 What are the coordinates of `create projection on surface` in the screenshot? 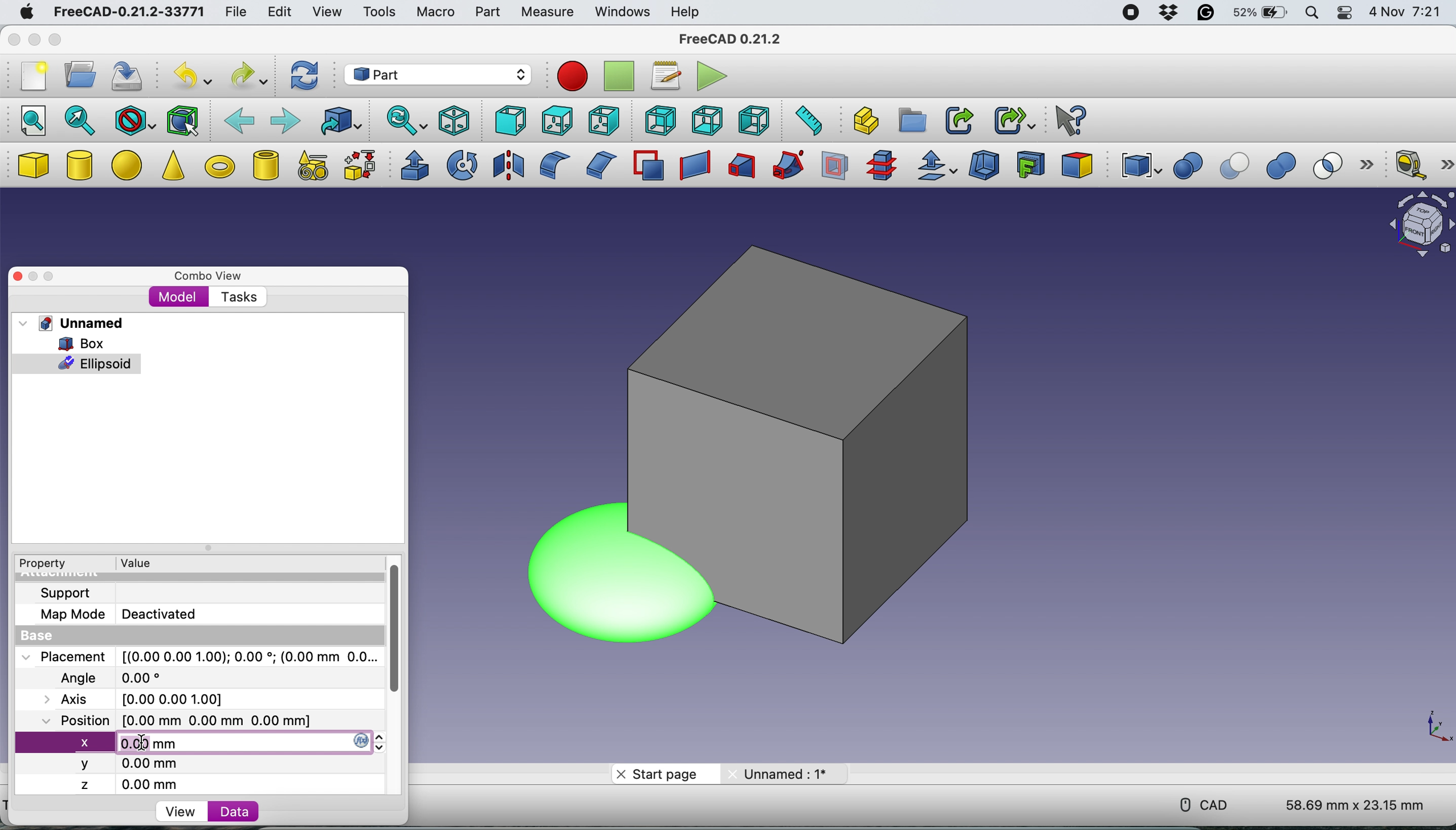 It's located at (1031, 164).